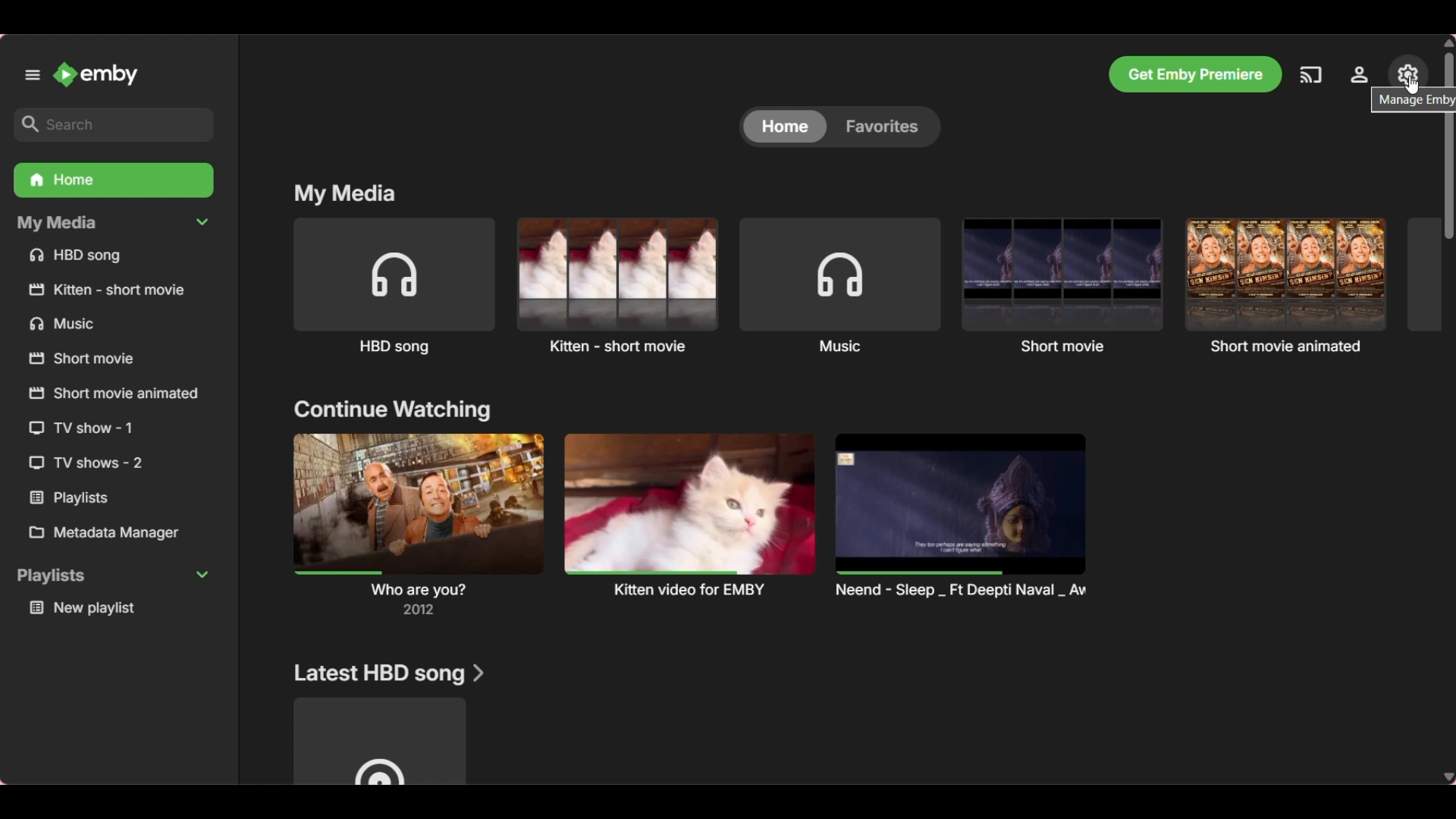  I want to click on Media under current section, so click(378, 740).